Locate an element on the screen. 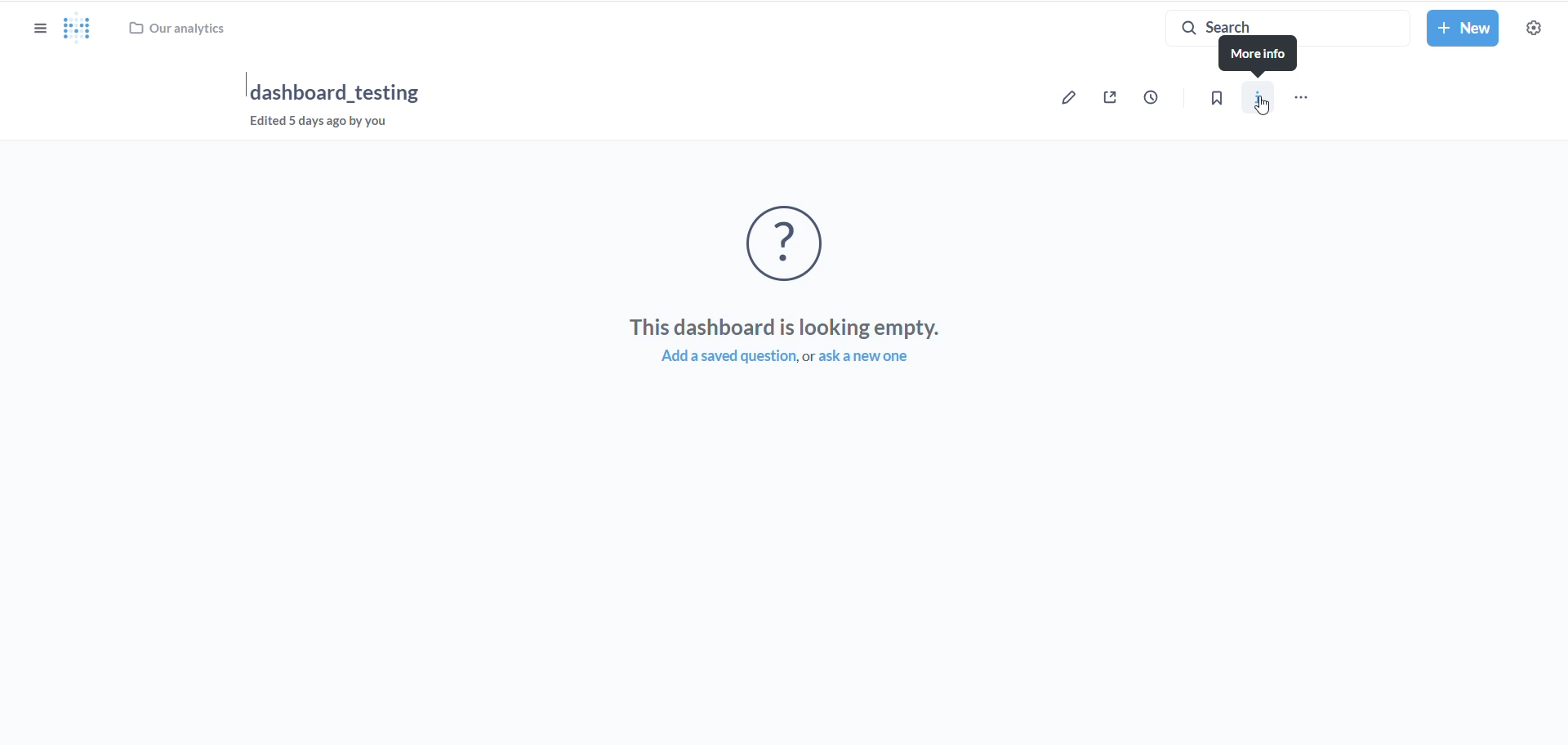 The height and width of the screenshot is (745, 1568). dashboard_testing  is located at coordinates (336, 91).